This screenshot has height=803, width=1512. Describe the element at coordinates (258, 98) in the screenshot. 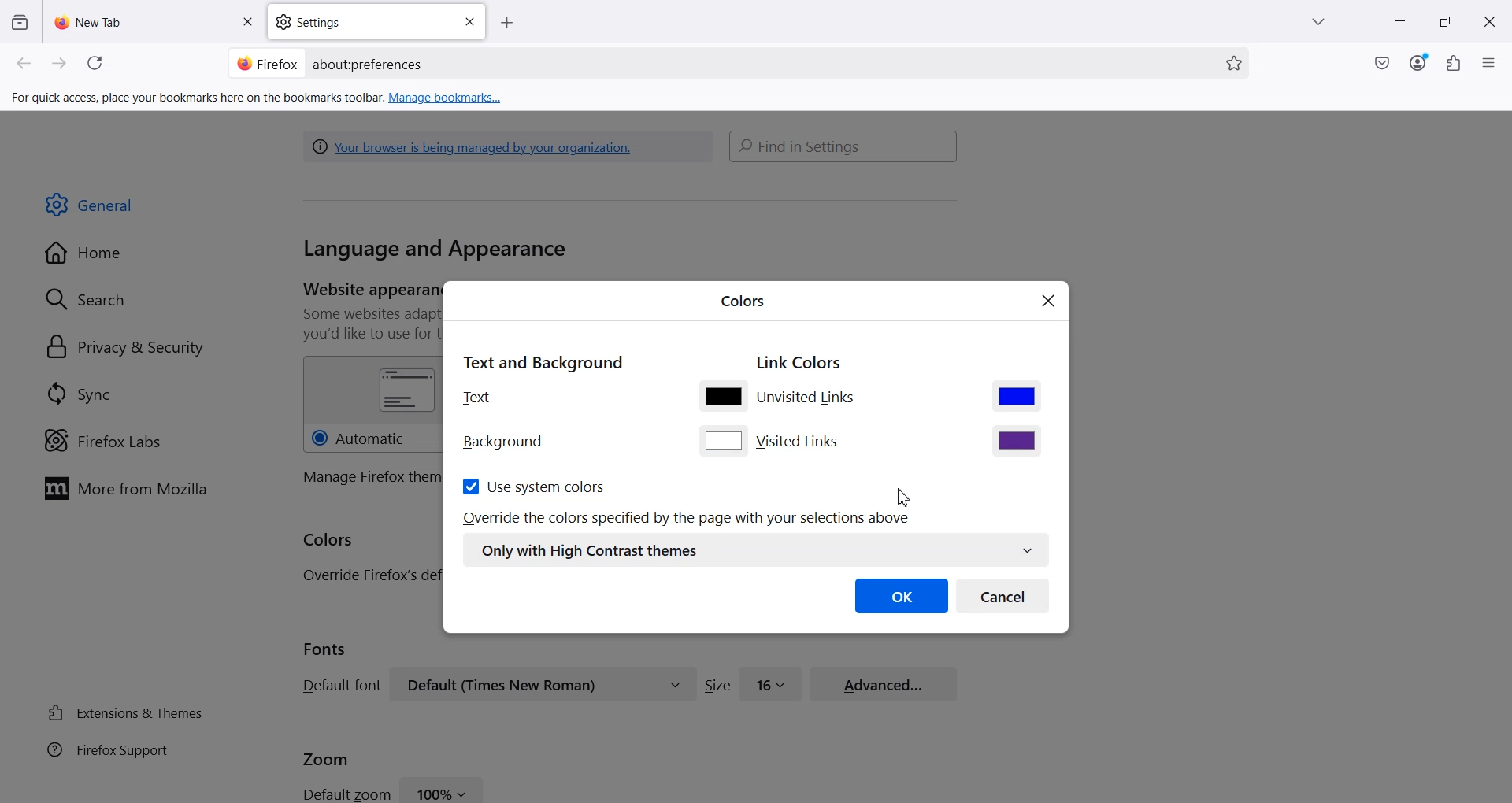

I see `For quick access, place your bookmarks here on the bookmarks toolbar. Manage bookmarks...` at that location.